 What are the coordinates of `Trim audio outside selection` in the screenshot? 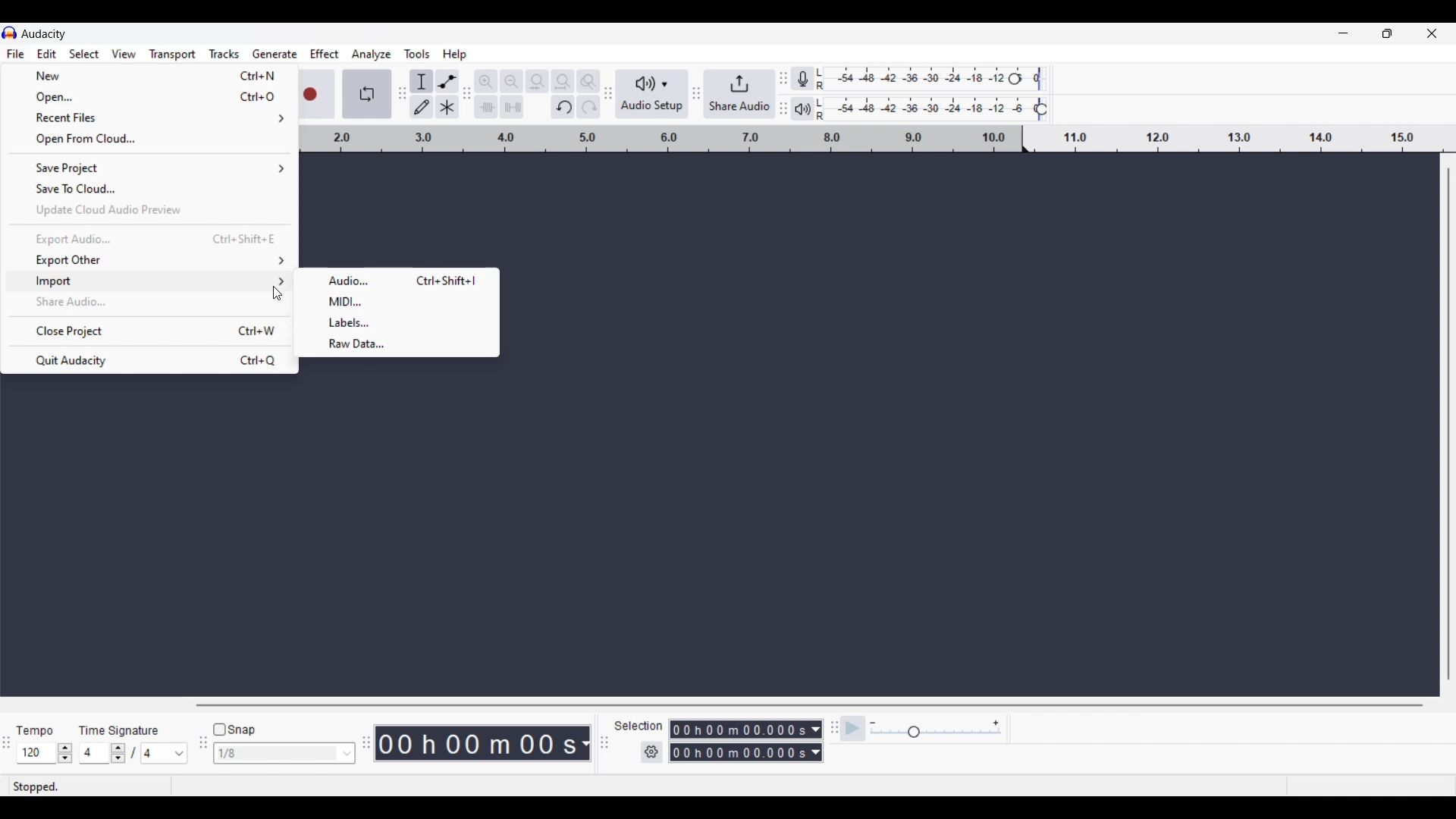 It's located at (488, 107).